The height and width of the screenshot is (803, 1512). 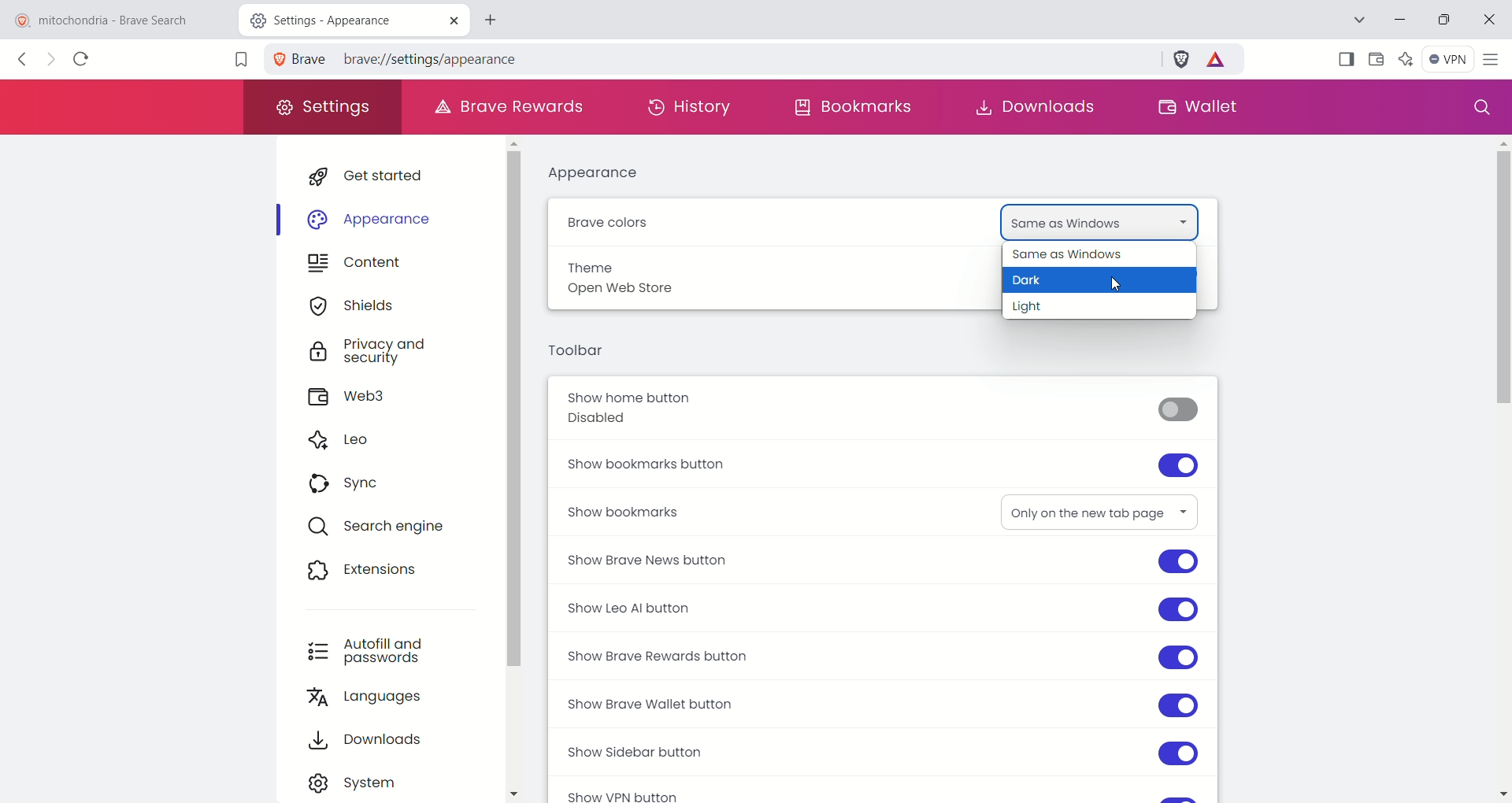 What do you see at coordinates (1040, 105) in the screenshot?
I see `downloads` at bounding box center [1040, 105].